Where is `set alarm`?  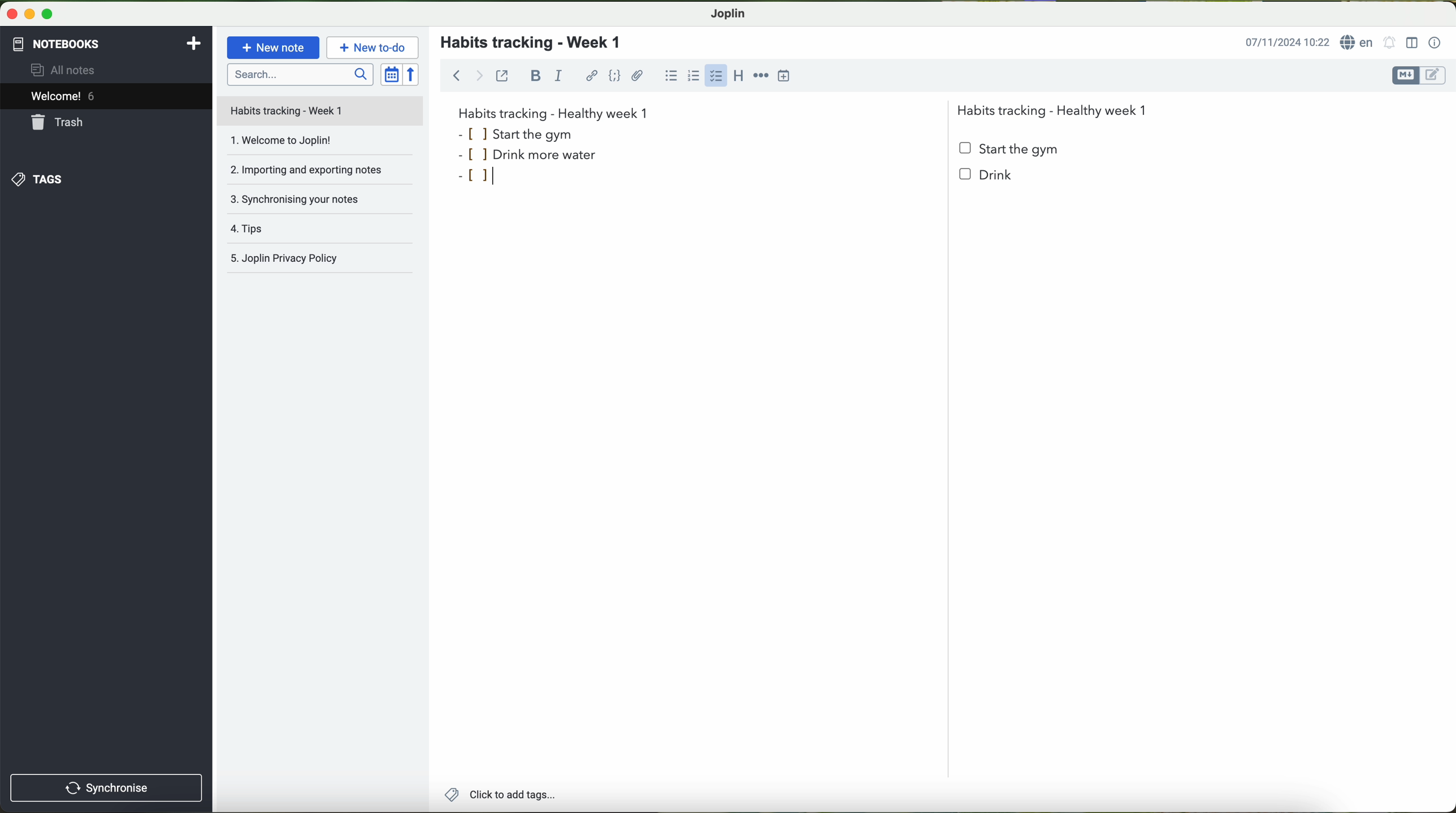 set alarm is located at coordinates (1390, 42).